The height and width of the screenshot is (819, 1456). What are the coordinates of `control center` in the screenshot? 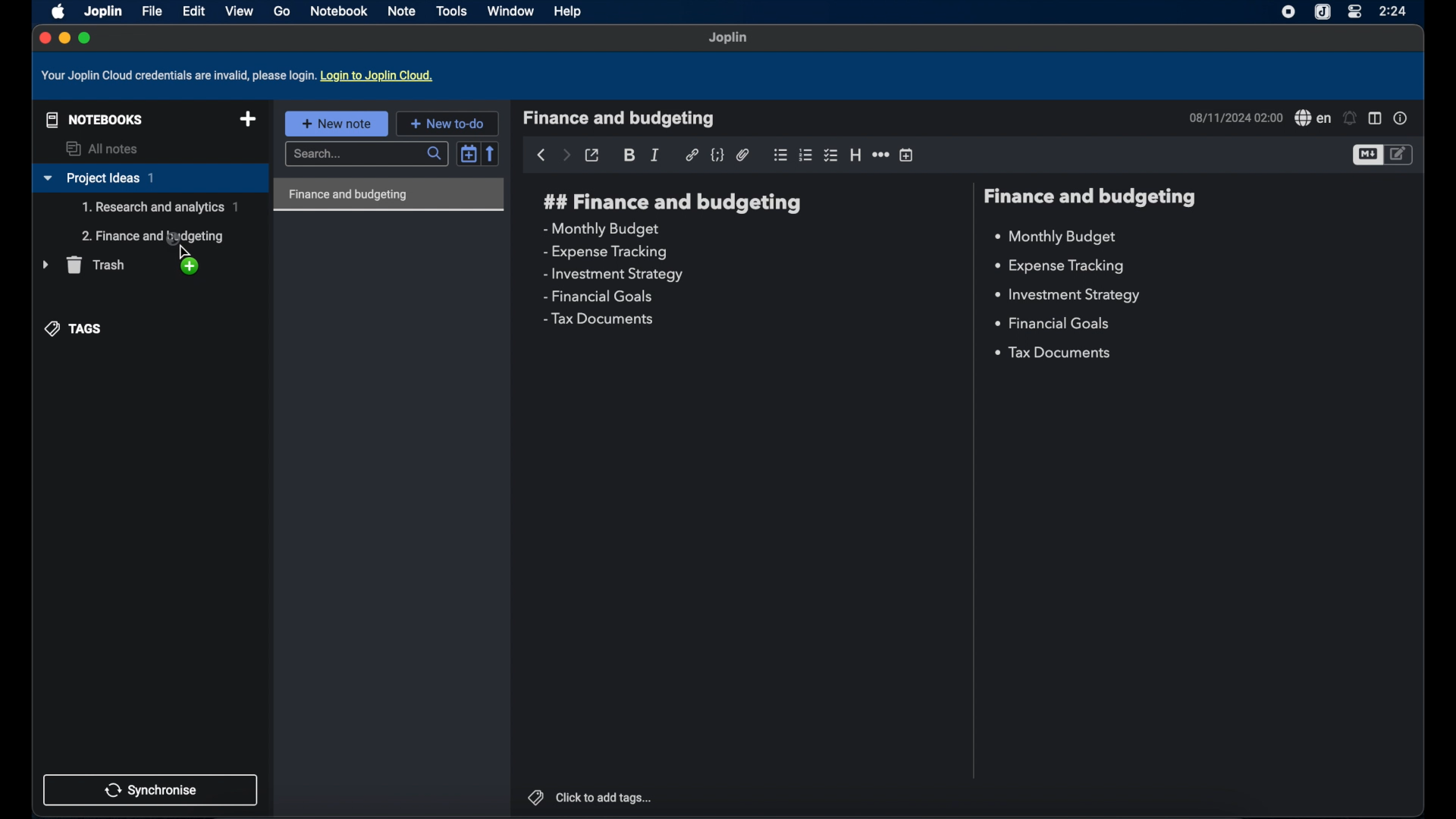 It's located at (1354, 12).